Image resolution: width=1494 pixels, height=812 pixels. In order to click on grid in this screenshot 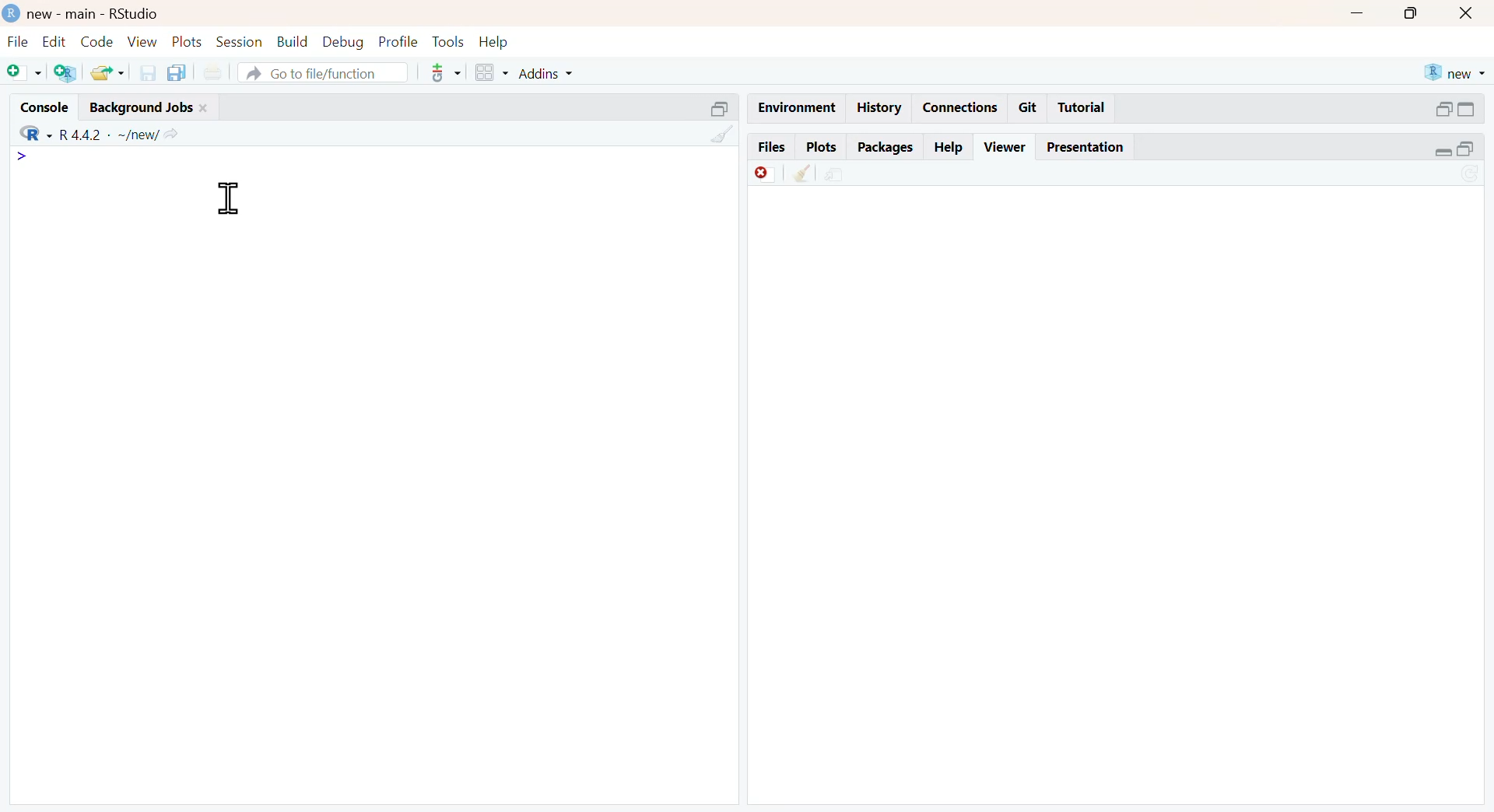, I will do `click(493, 72)`.